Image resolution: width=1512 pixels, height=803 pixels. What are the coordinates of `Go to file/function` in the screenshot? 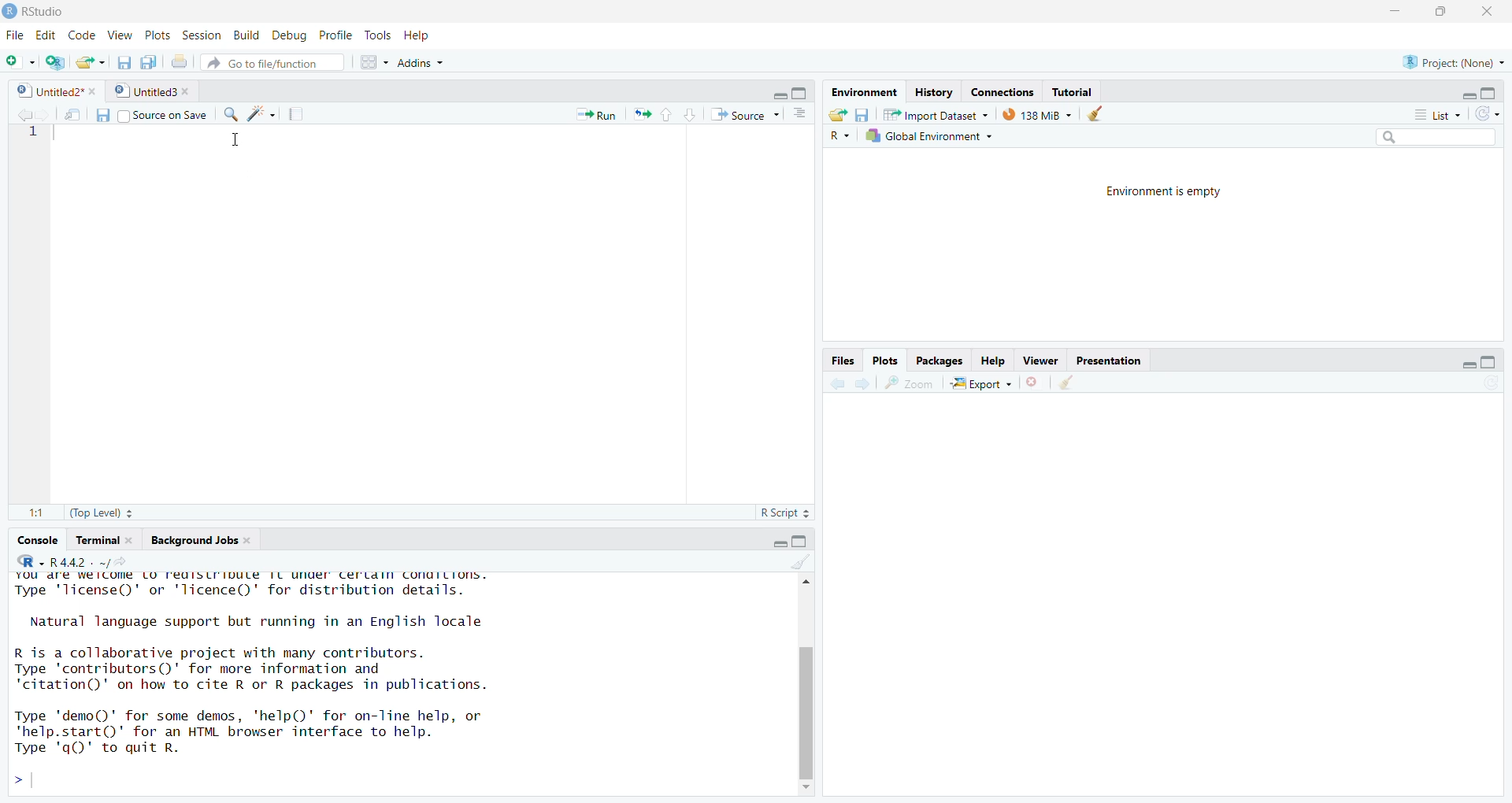 It's located at (268, 61).